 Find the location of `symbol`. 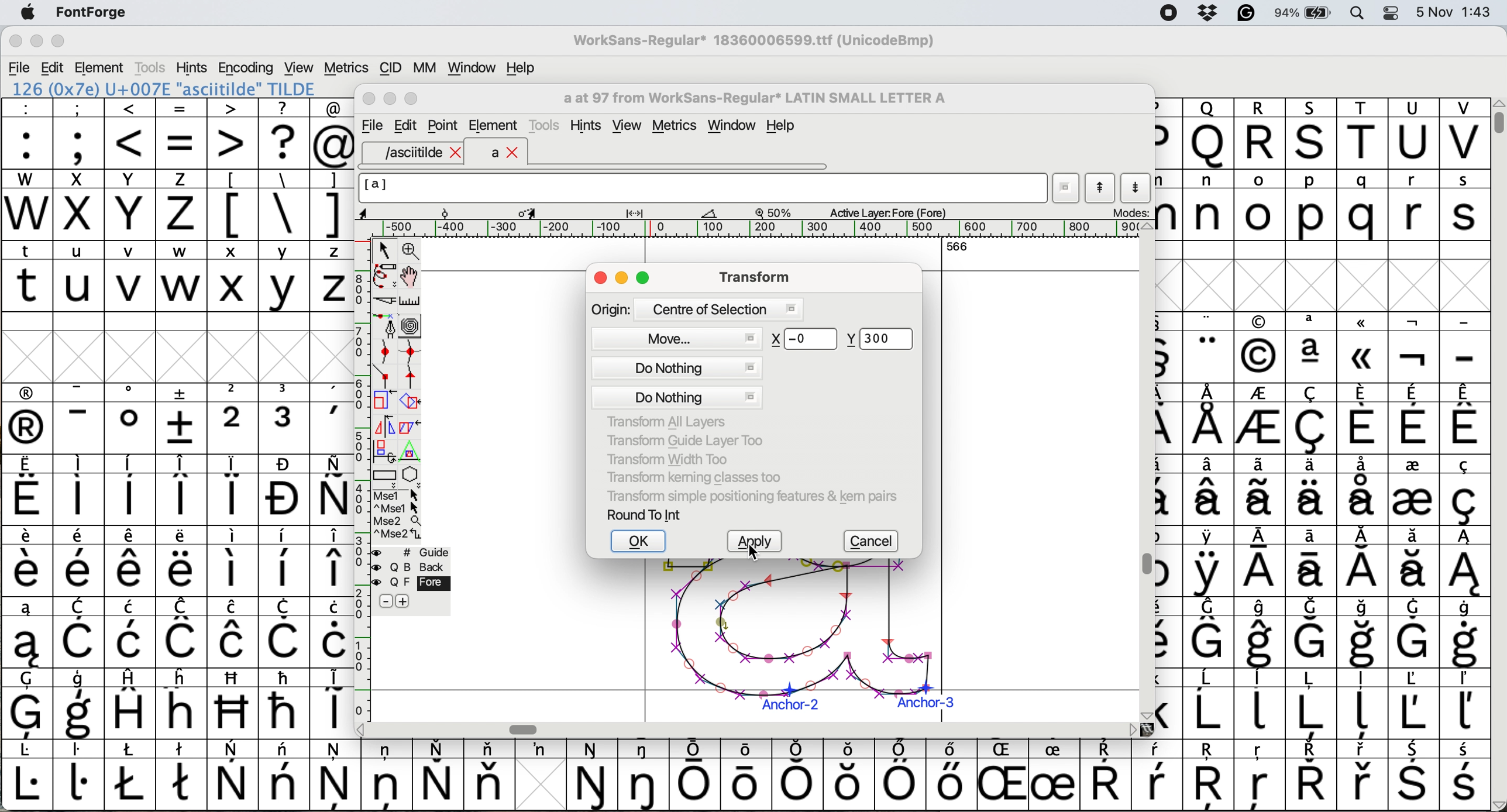

symbol is located at coordinates (334, 632).